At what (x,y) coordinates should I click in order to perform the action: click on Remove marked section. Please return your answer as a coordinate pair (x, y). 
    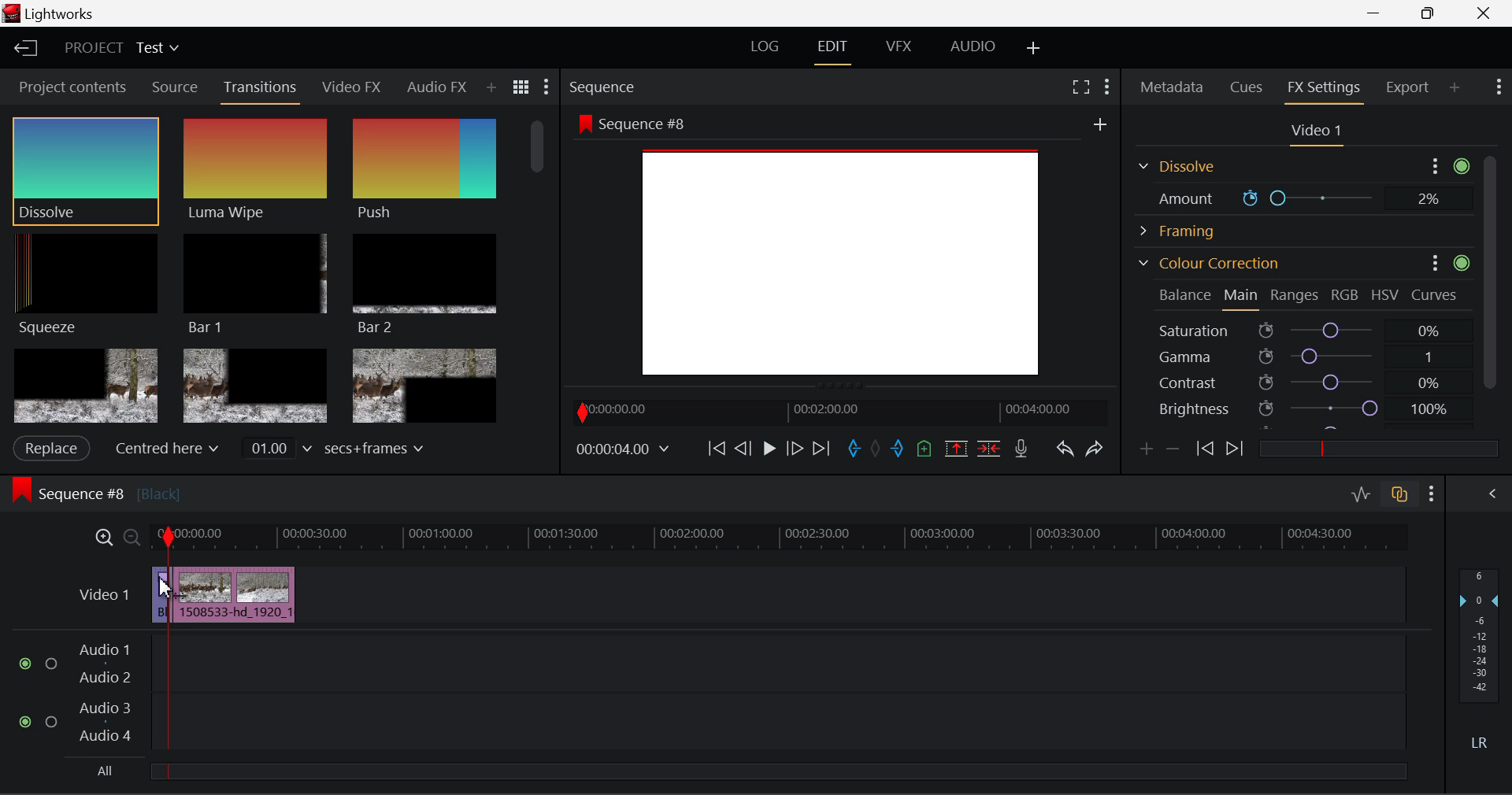
    Looking at the image, I should click on (955, 447).